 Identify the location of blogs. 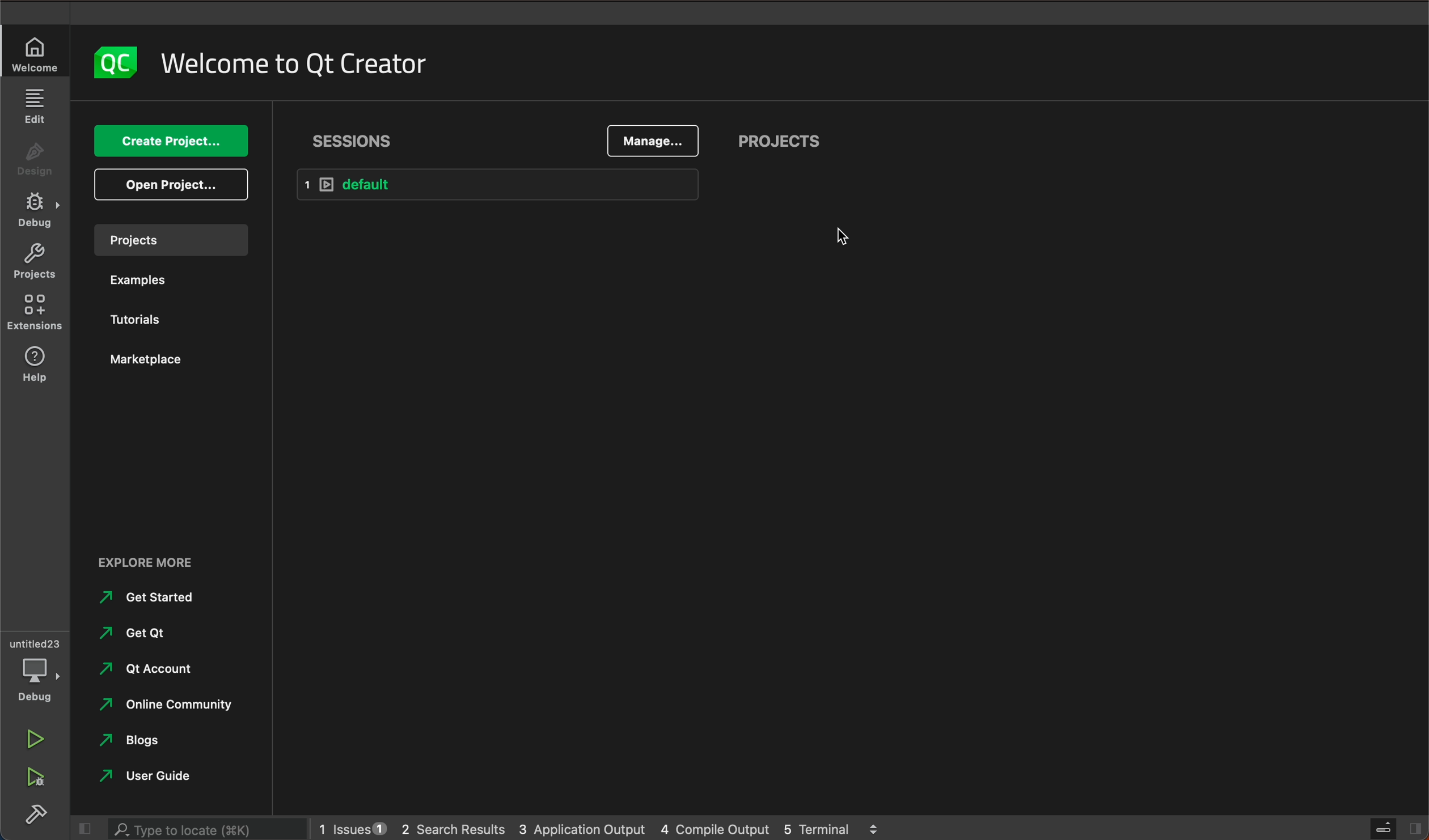
(136, 740).